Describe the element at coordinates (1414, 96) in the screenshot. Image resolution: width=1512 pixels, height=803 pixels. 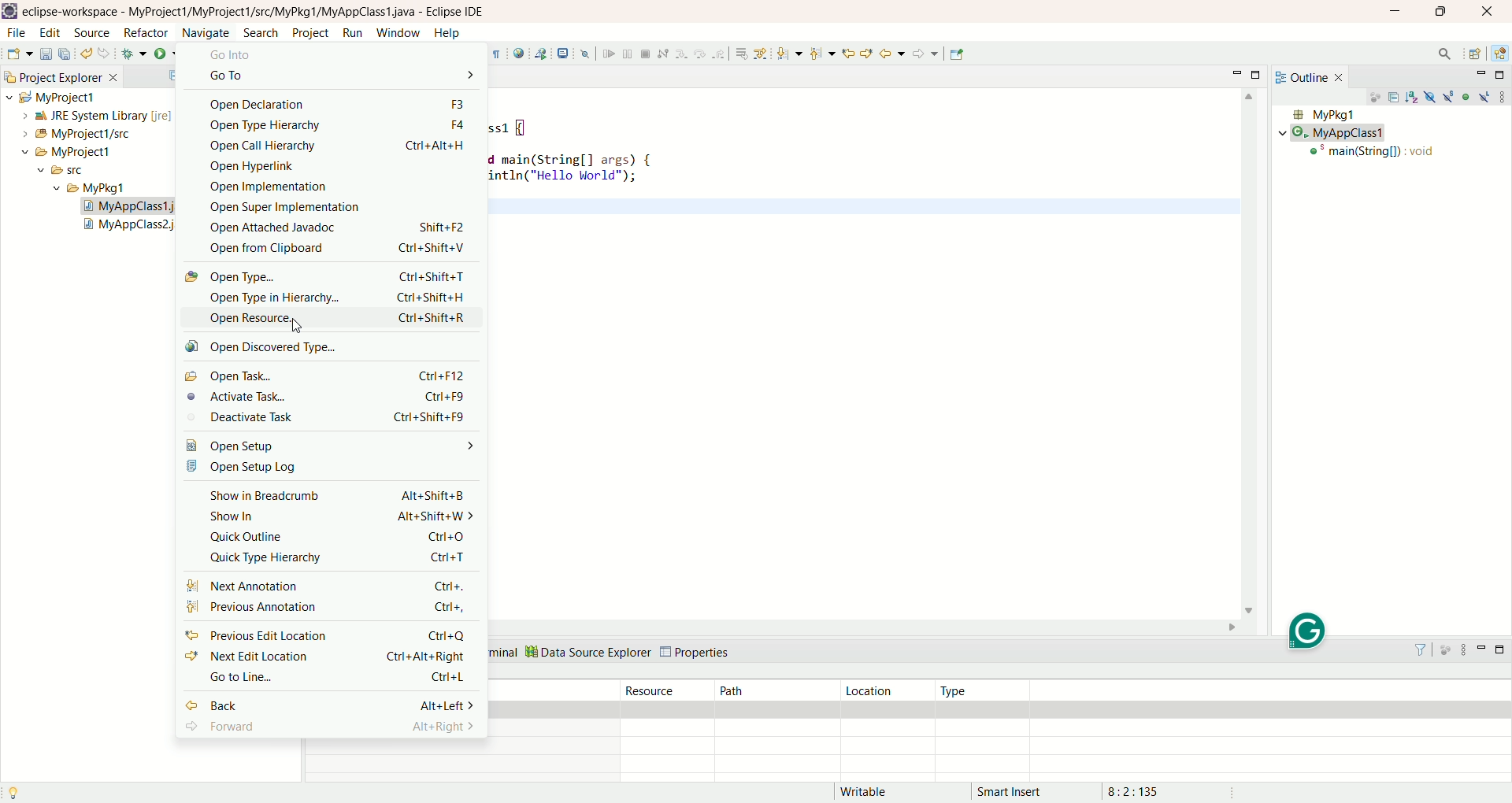
I see `sort` at that location.